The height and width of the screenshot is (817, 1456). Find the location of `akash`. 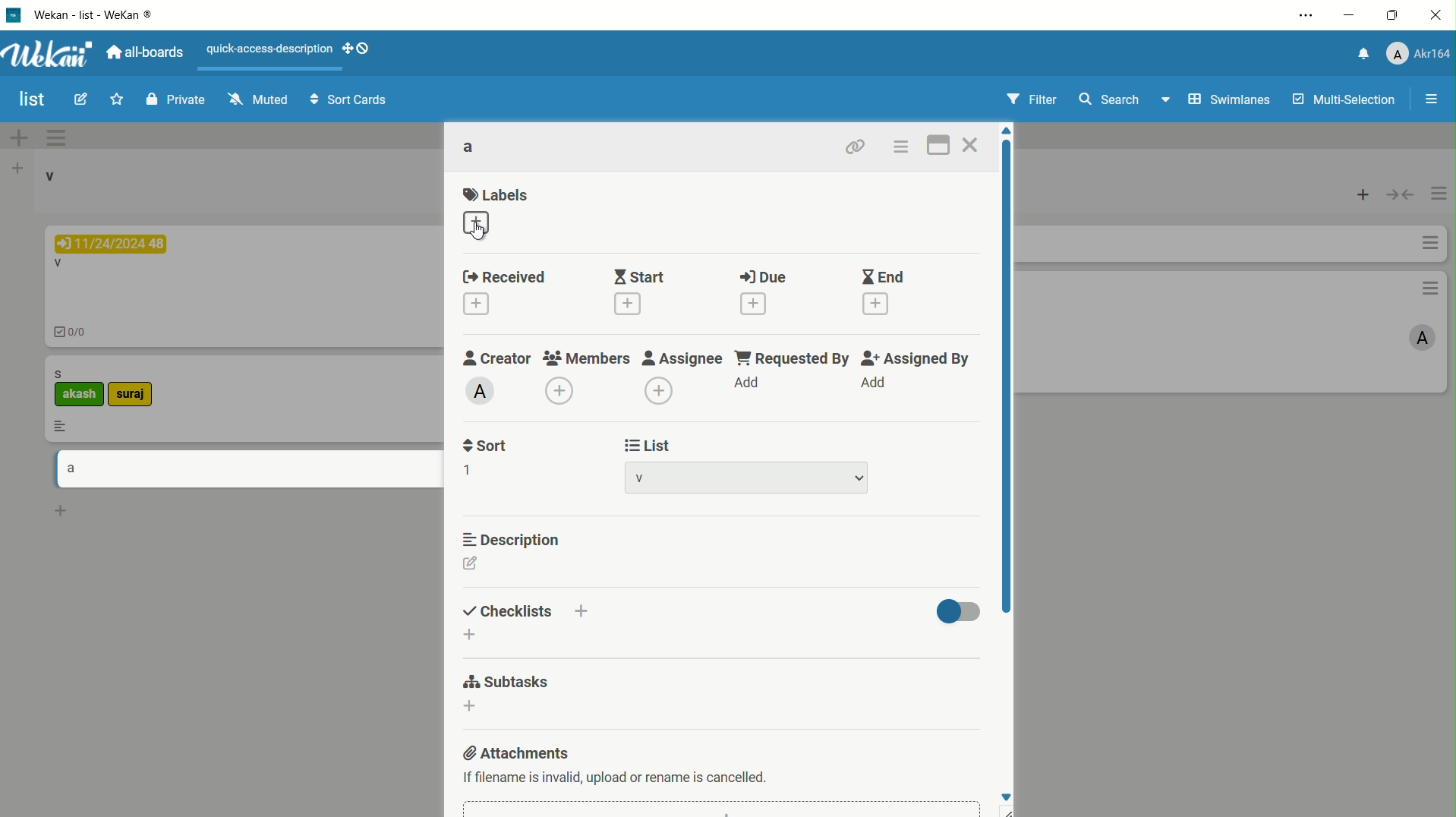

akash is located at coordinates (77, 396).